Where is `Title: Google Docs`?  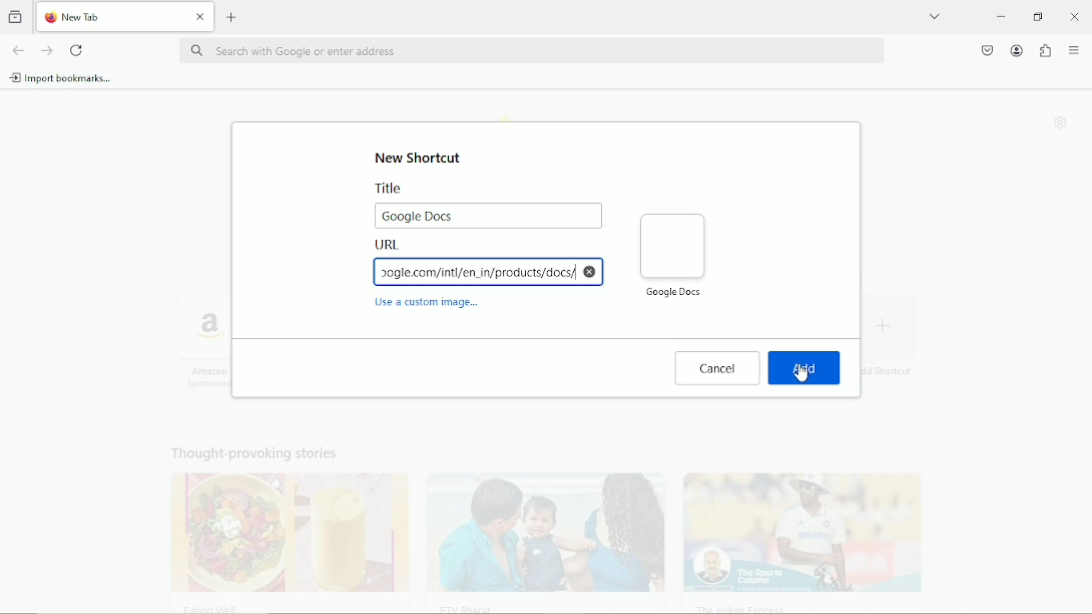 Title: Google Docs is located at coordinates (488, 205).